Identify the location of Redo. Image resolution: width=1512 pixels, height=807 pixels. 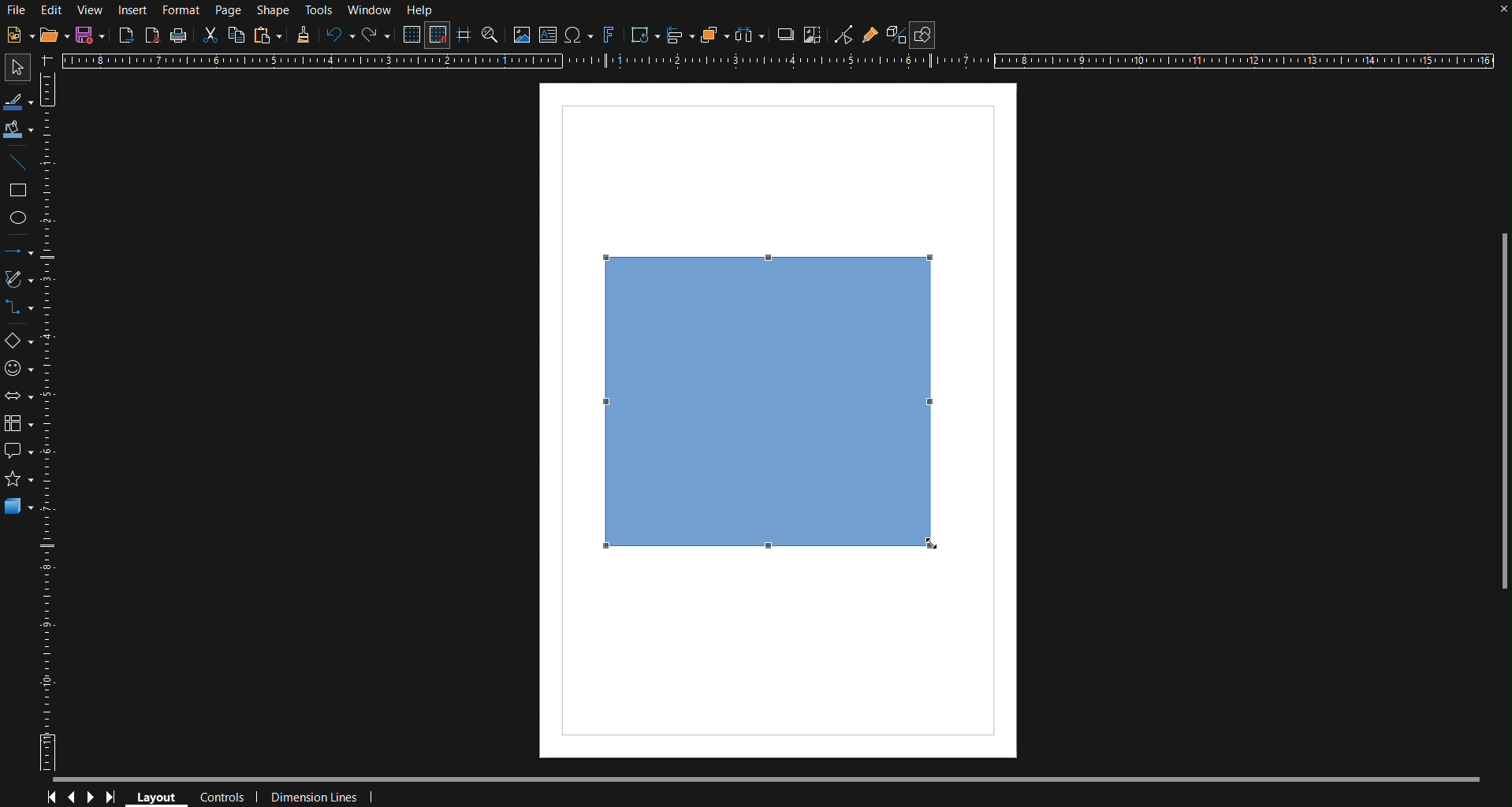
(375, 35).